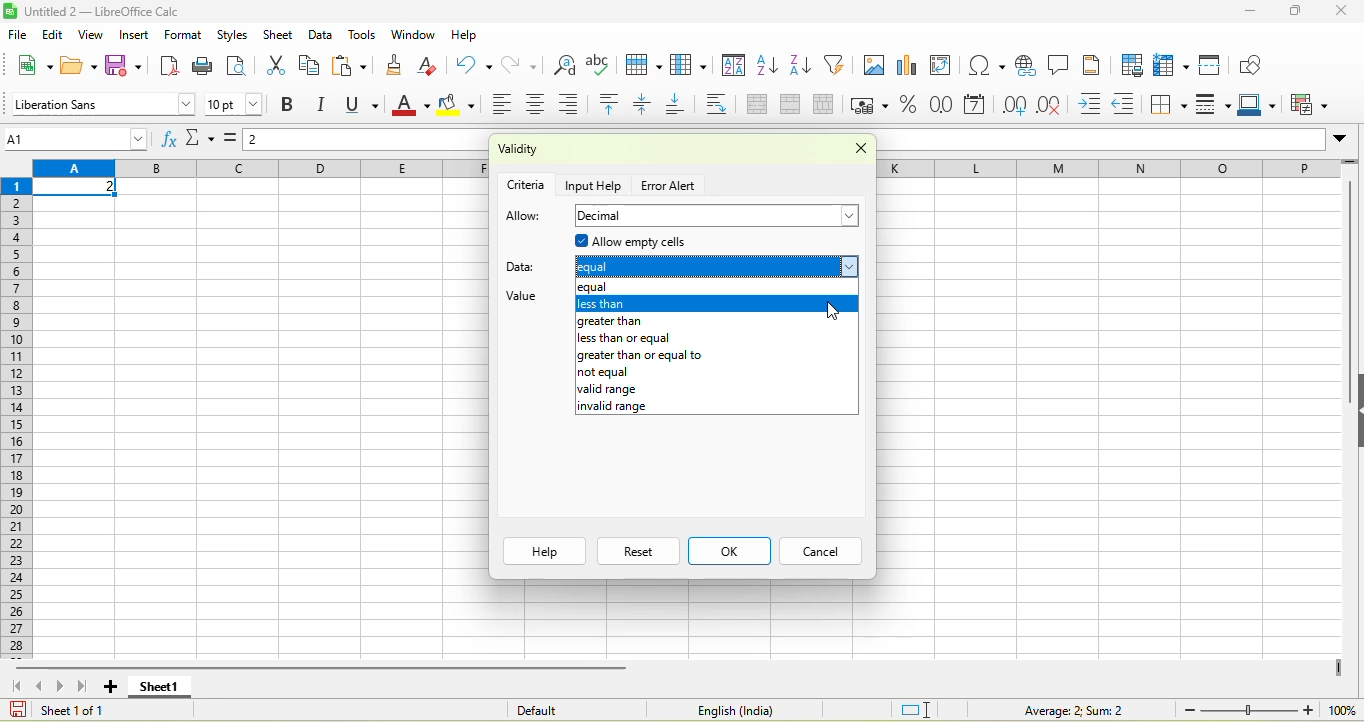  Describe the element at coordinates (94, 35) in the screenshot. I see `view` at that location.